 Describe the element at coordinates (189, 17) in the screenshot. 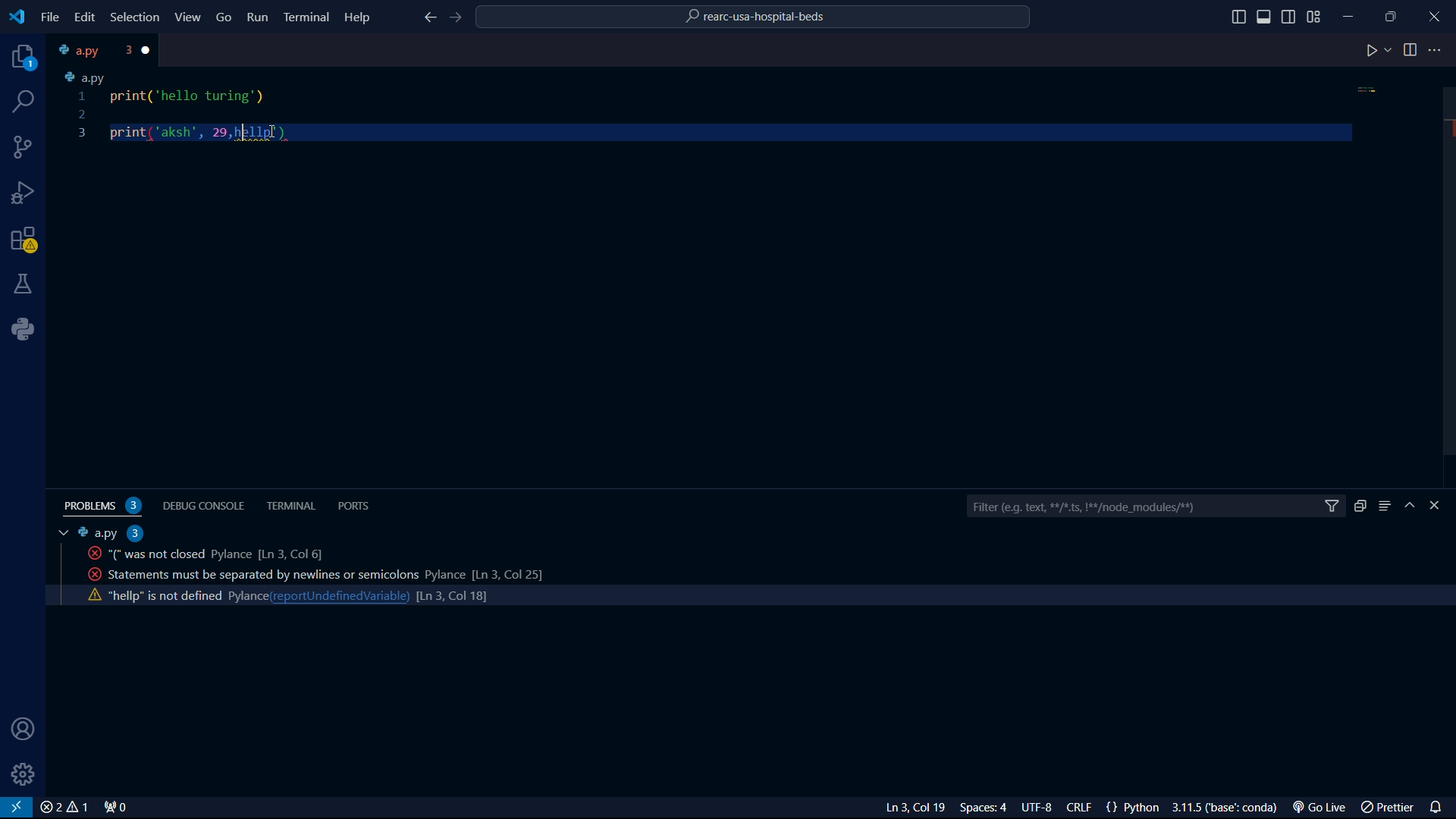

I see `View` at that location.